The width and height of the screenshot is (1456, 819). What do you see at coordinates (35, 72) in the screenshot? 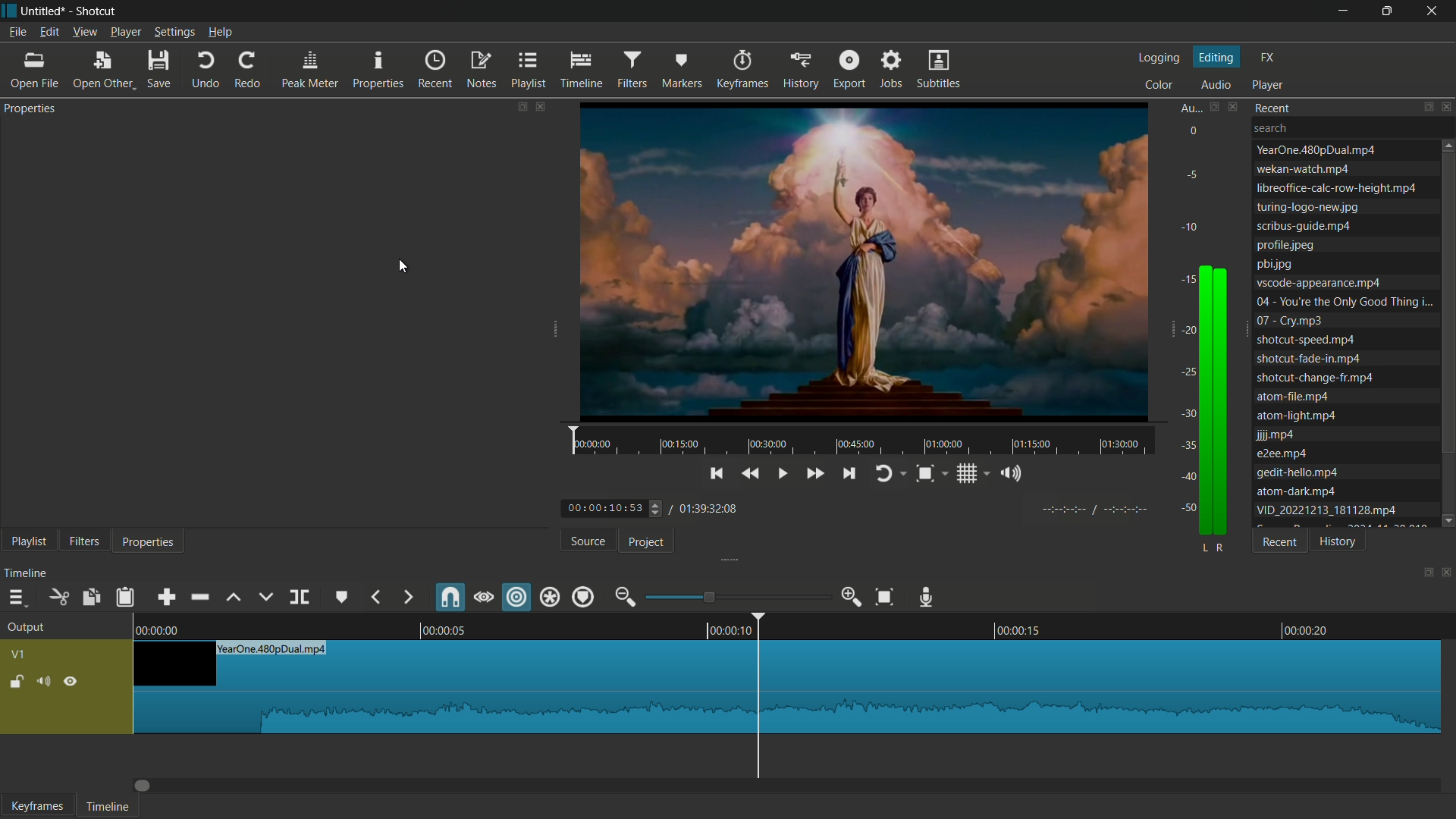
I see `open other` at bounding box center [35, 72].